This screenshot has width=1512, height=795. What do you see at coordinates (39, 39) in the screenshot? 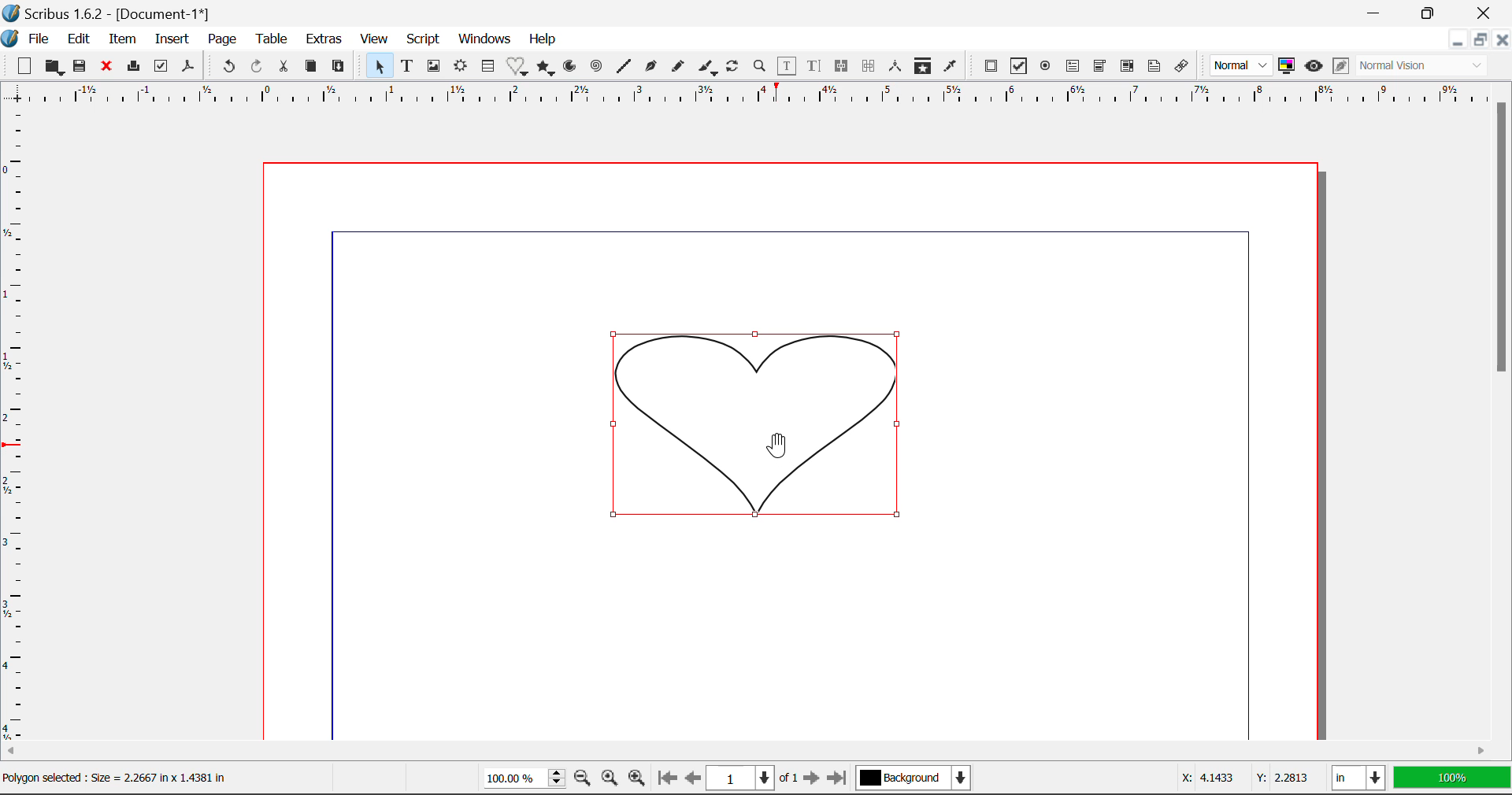
I see `File` at bounding box center [39, 39].